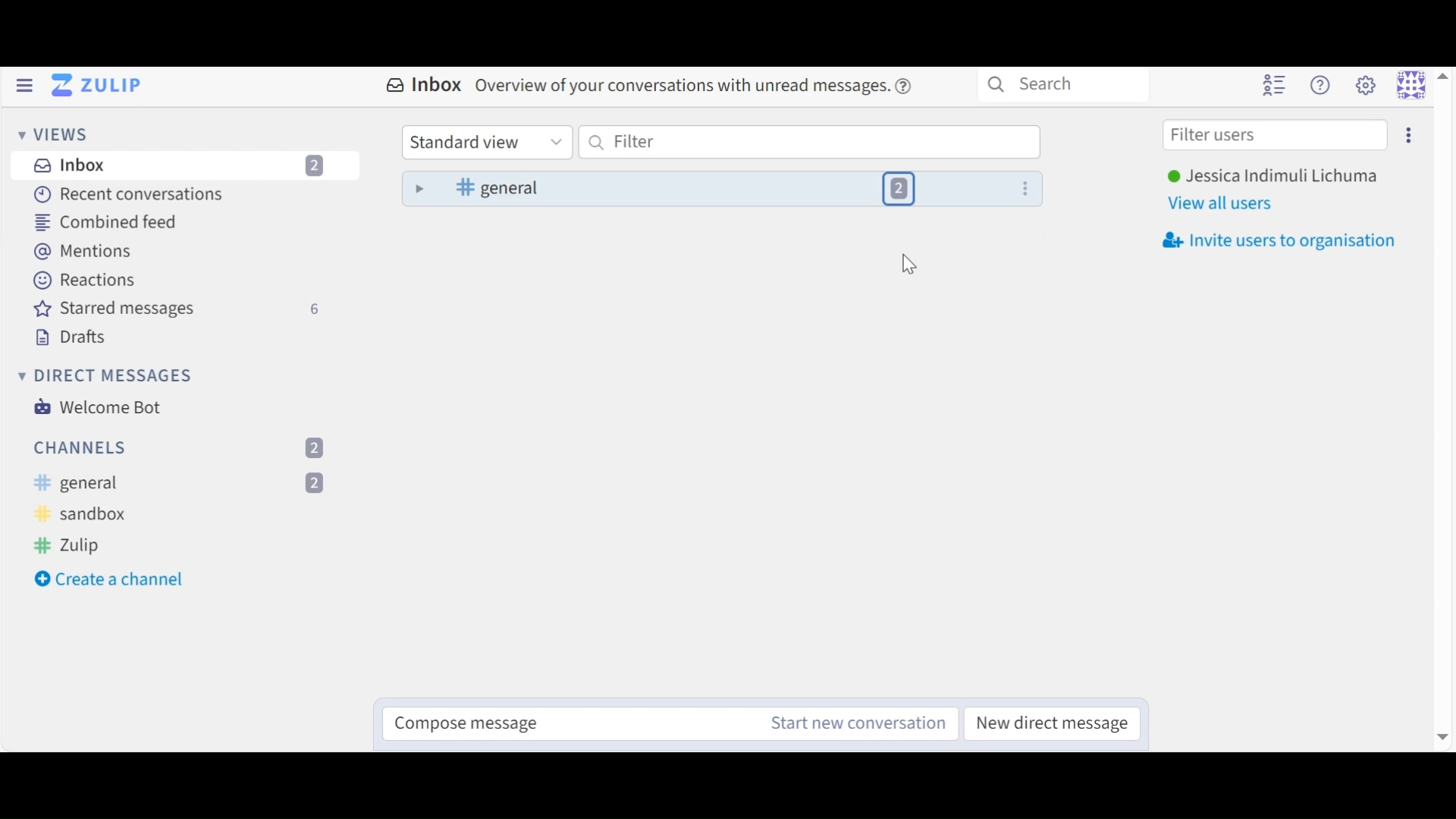 The width and height of the screenshot is (1456, 819). What do you see at coordinates (565, 722) in the screenshot?
I see `Compose message` at bounding box center [565, 722].